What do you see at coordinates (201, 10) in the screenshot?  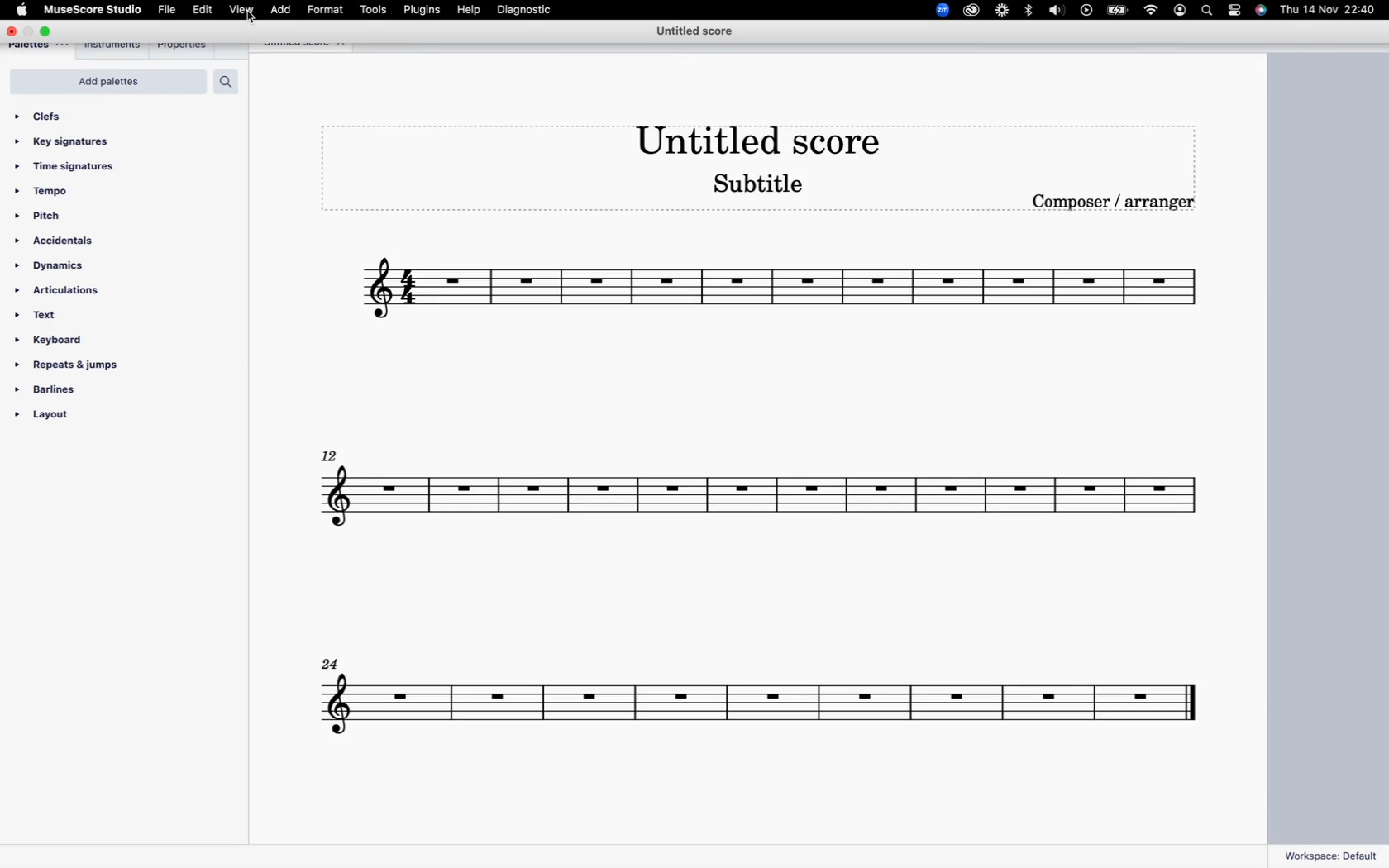 I see `edit` at bounding box center [201, 10].